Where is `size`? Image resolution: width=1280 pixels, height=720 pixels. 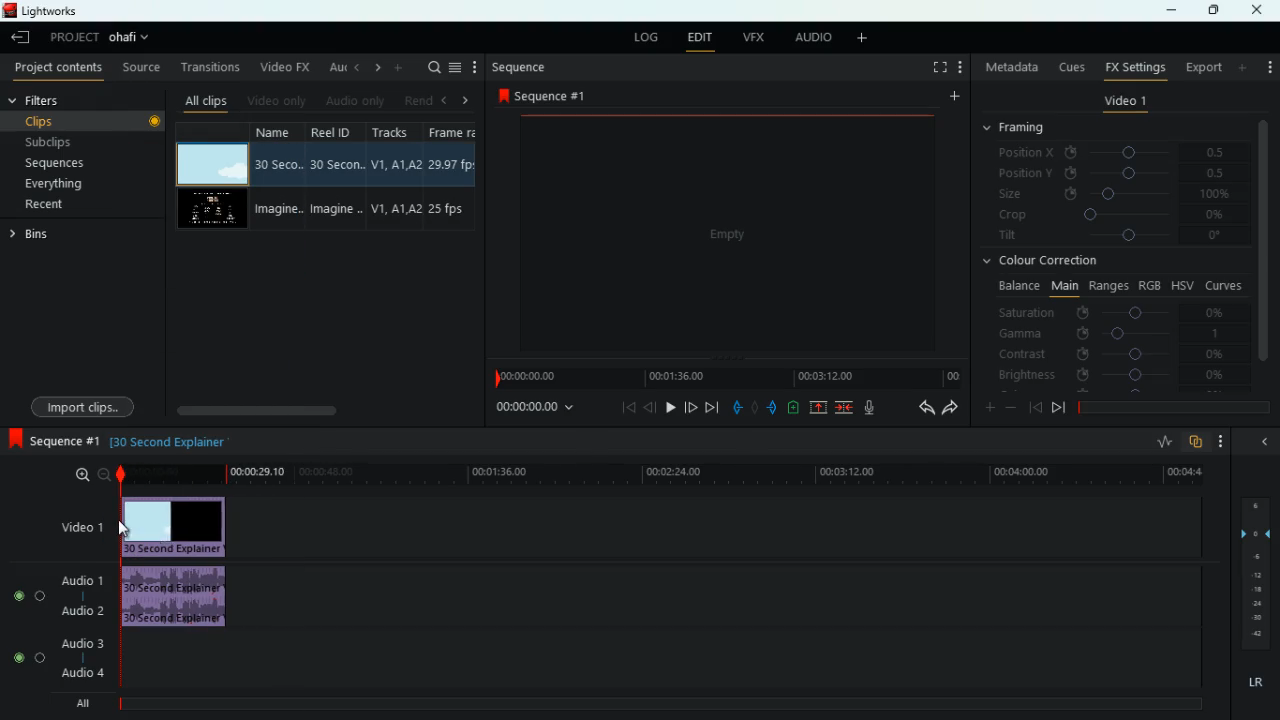 size is located at coordinates (1114, 195).